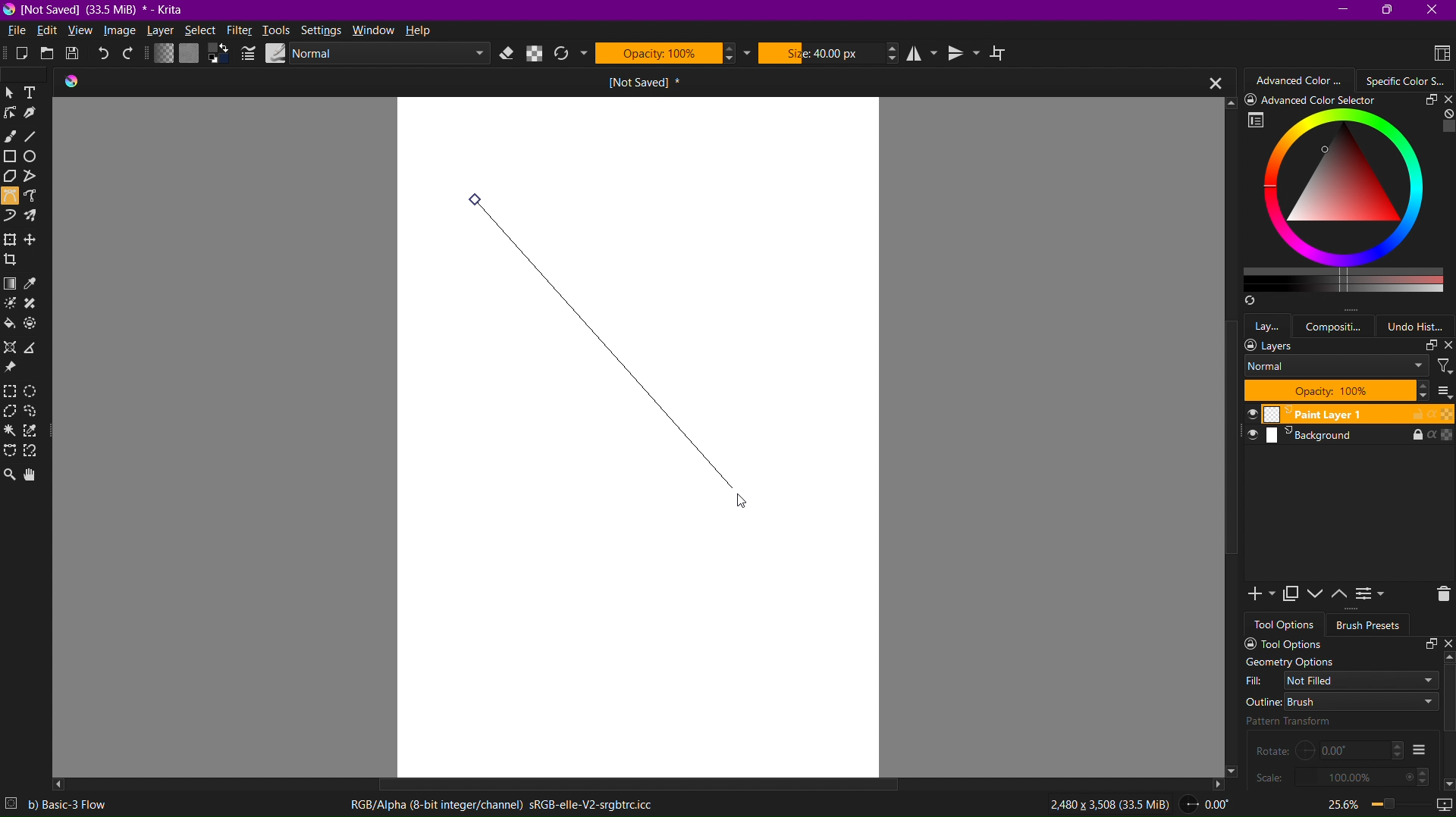 The height and width of the screenshot is (817, 1456). I want to click on Edit Shapes Tool, so click(13, 117).